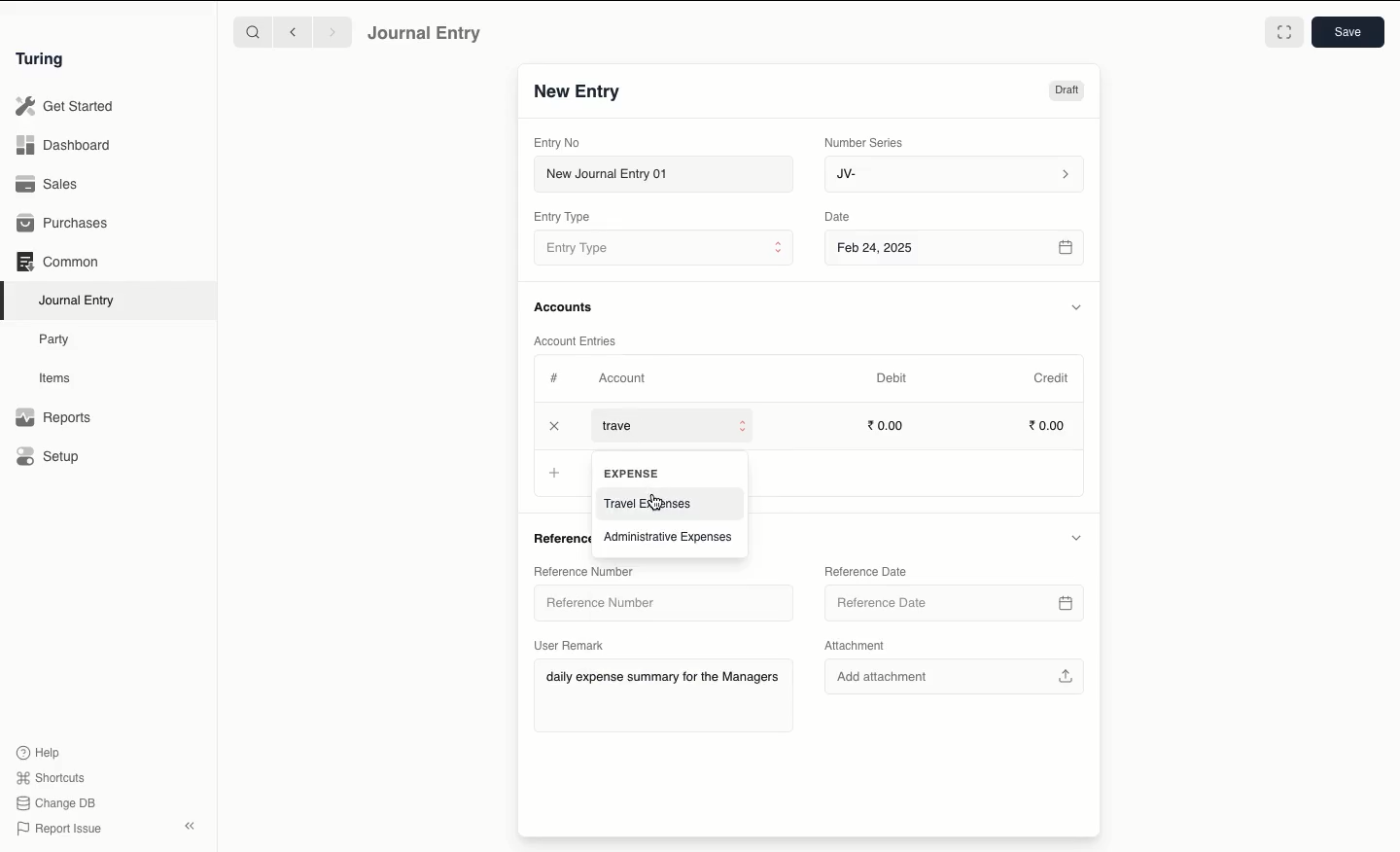 Image resolution: width=1400 pixels, height=852 pixels. I want to click on Reports, so click(53, 417).